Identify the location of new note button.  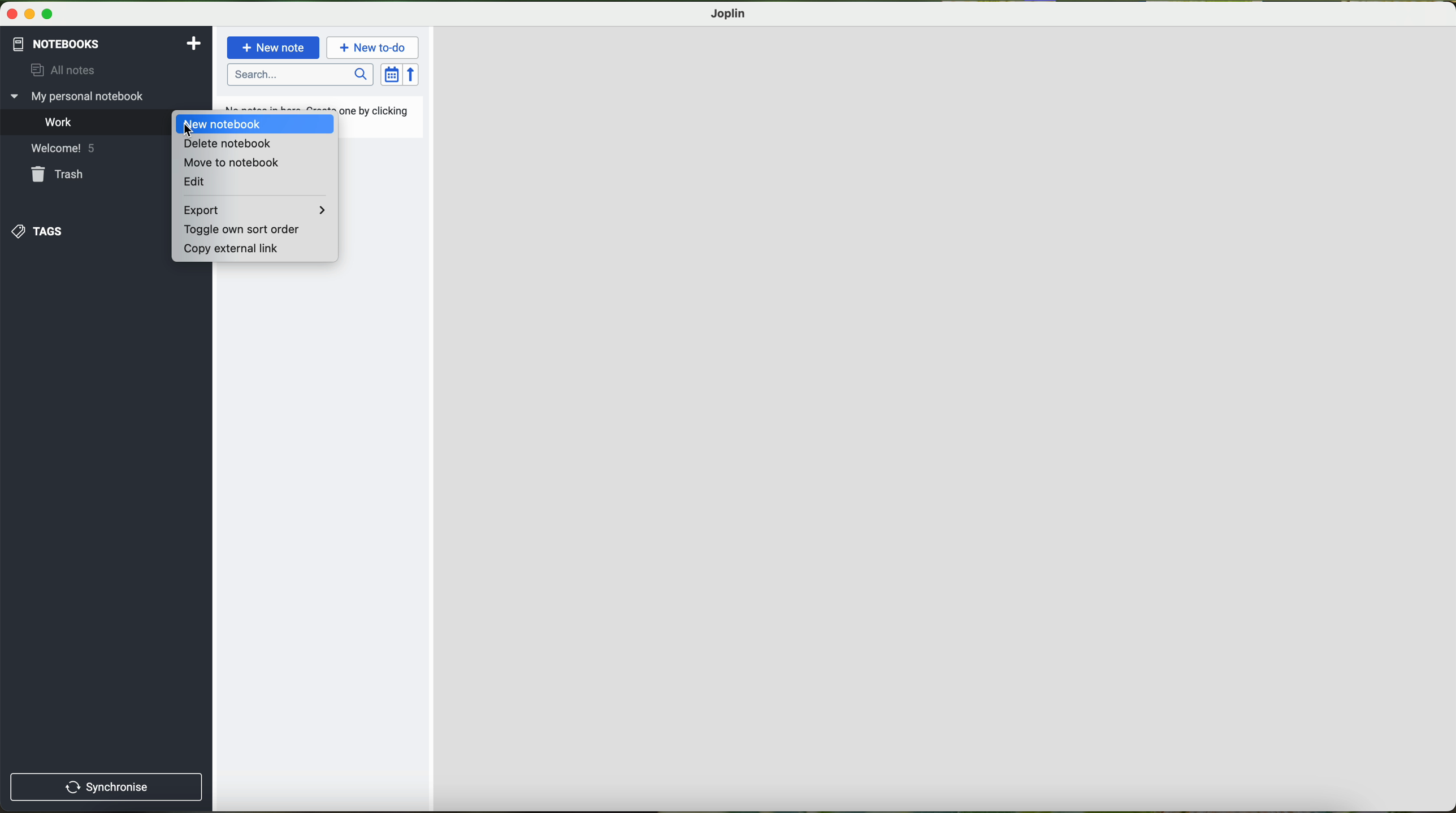
(274, 47).